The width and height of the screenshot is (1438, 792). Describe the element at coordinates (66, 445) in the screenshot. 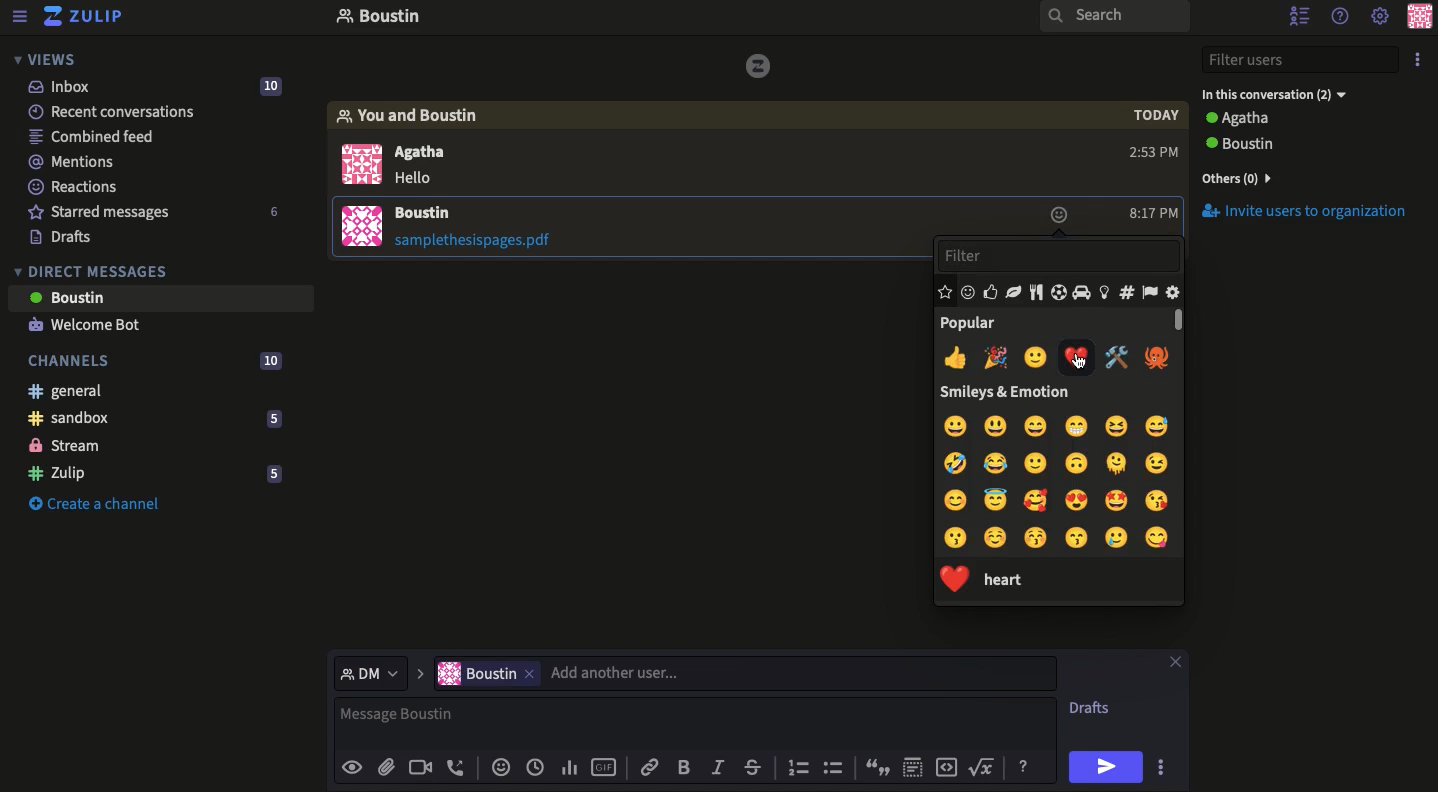

I see `Stream` at that location.